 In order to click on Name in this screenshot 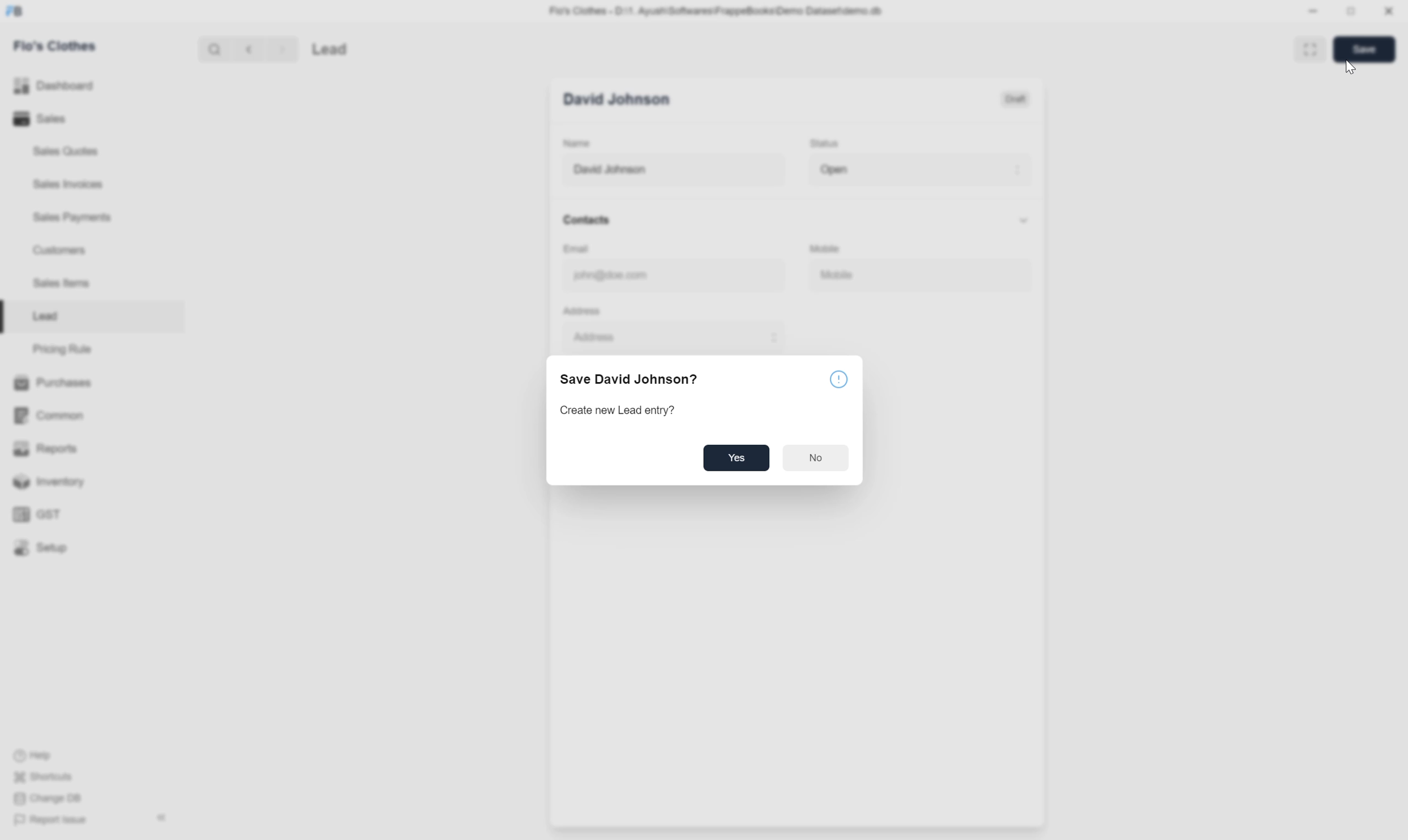, I will do `click(577, 144)`.